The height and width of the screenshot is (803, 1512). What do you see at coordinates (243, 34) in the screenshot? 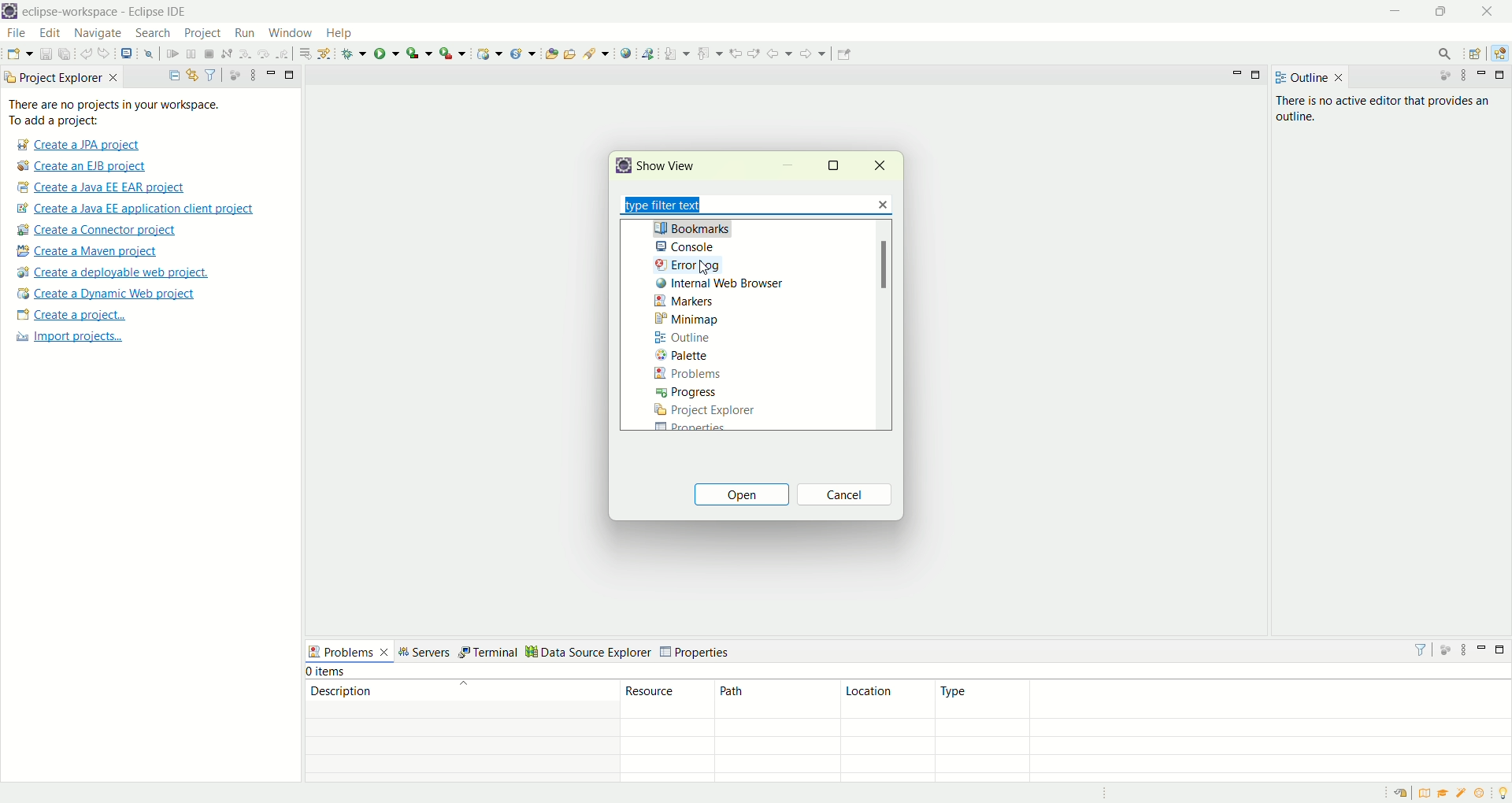
I see `run` at bounding box center [243, 34].